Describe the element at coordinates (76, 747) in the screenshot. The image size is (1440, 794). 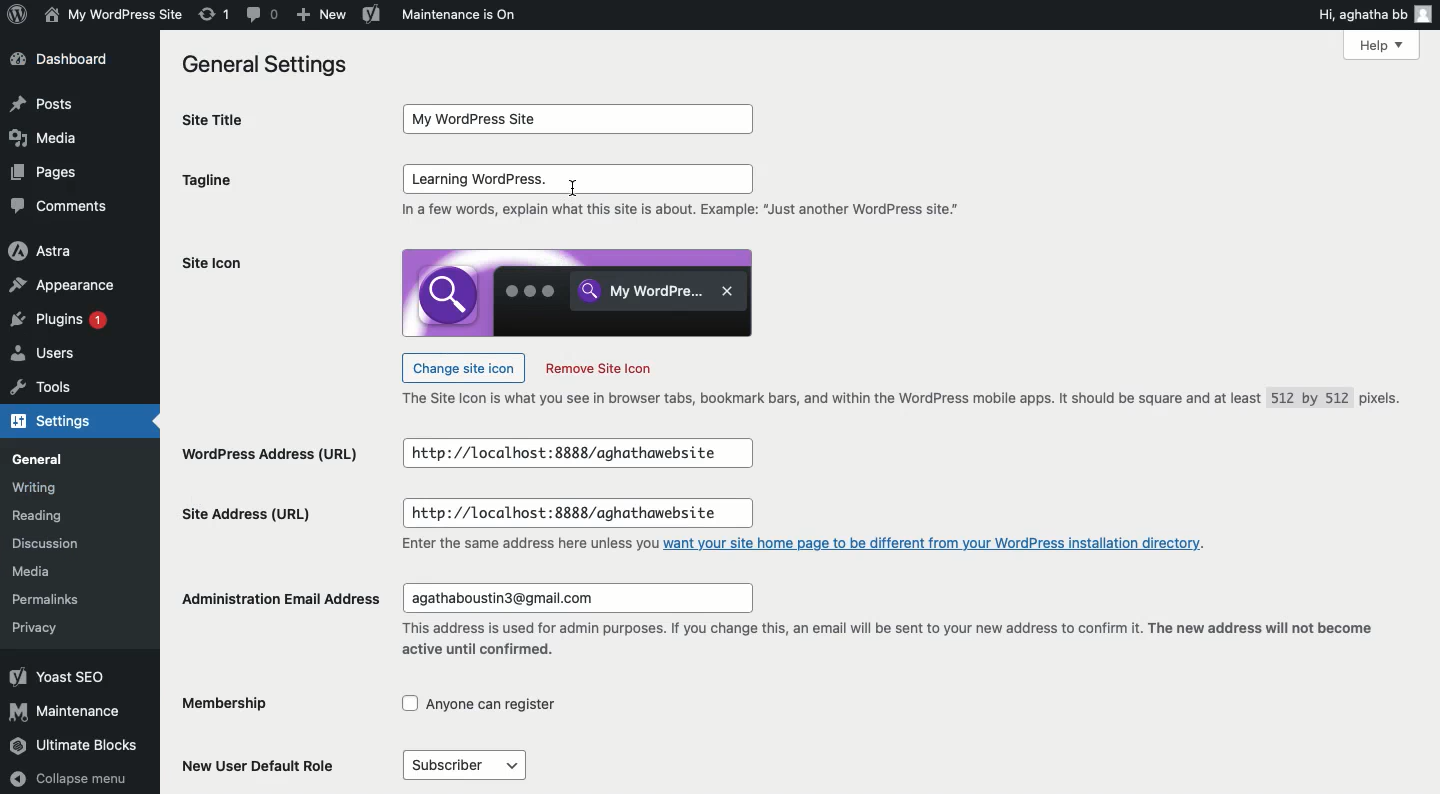
I see `Ultimate blocks` at that location.